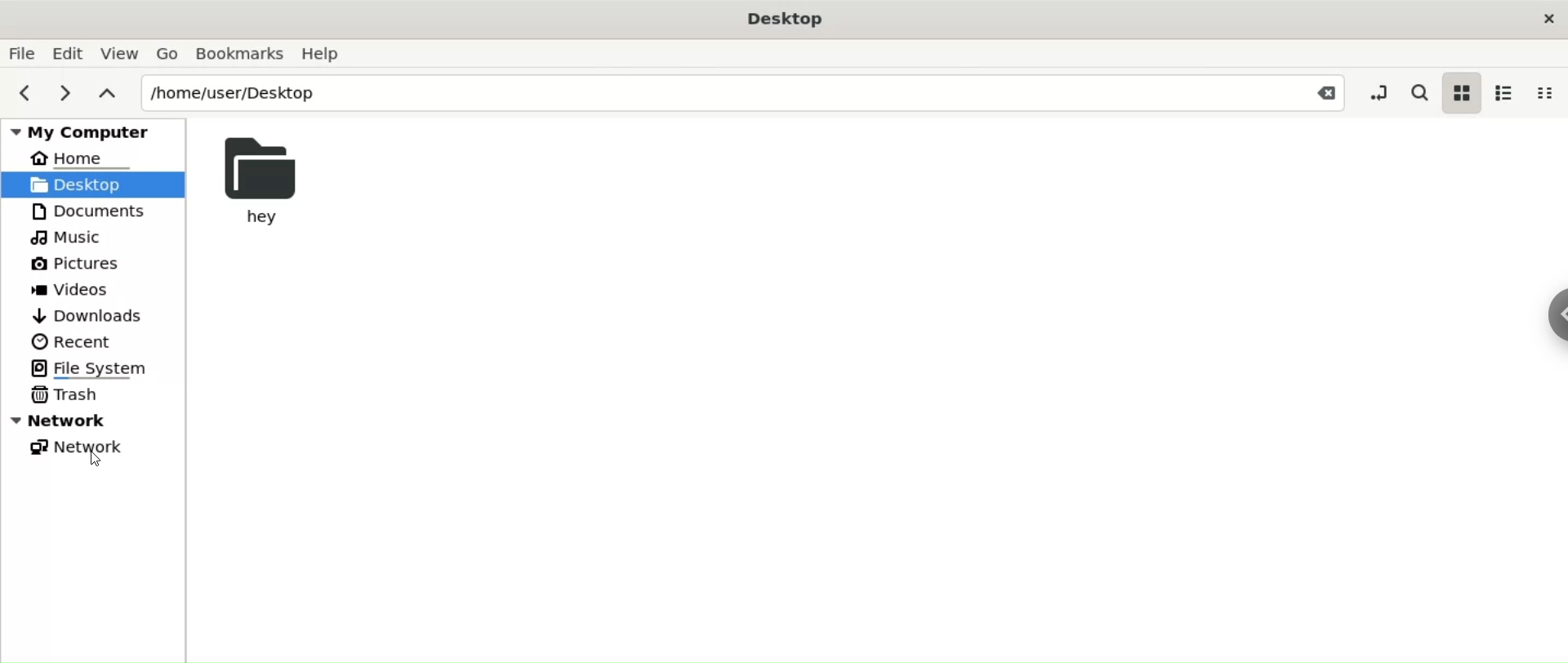  I want to click on Documents, so click(91, 211).